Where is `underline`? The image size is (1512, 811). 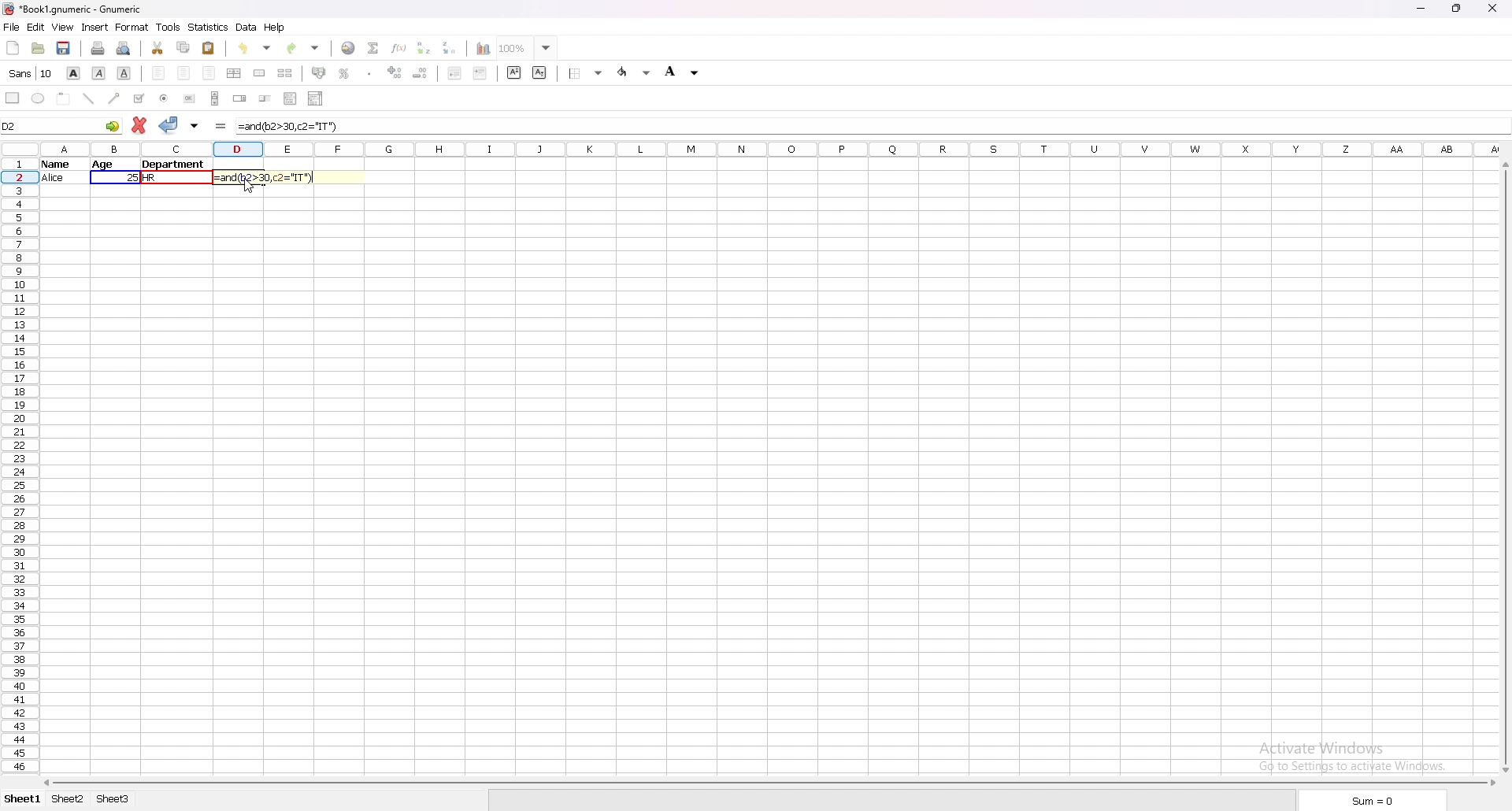
underline is located at coordinates (125, 73).